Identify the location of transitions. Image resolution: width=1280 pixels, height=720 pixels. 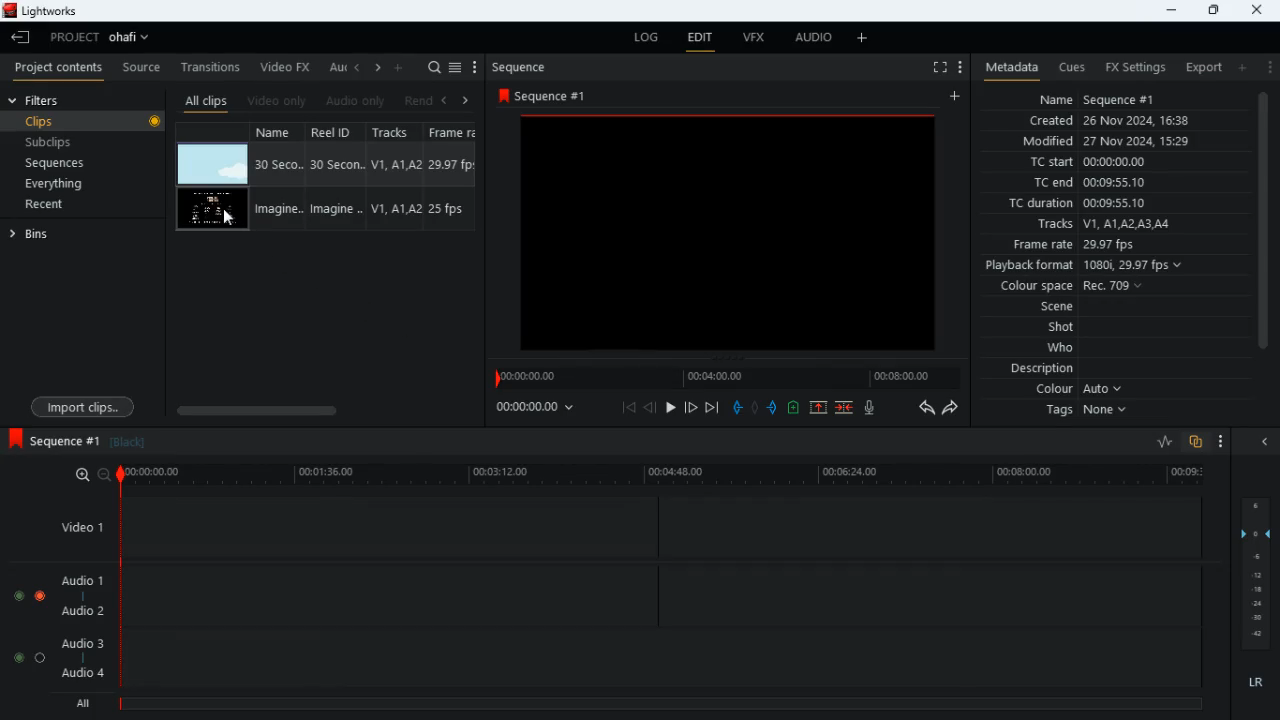
(212, 65).